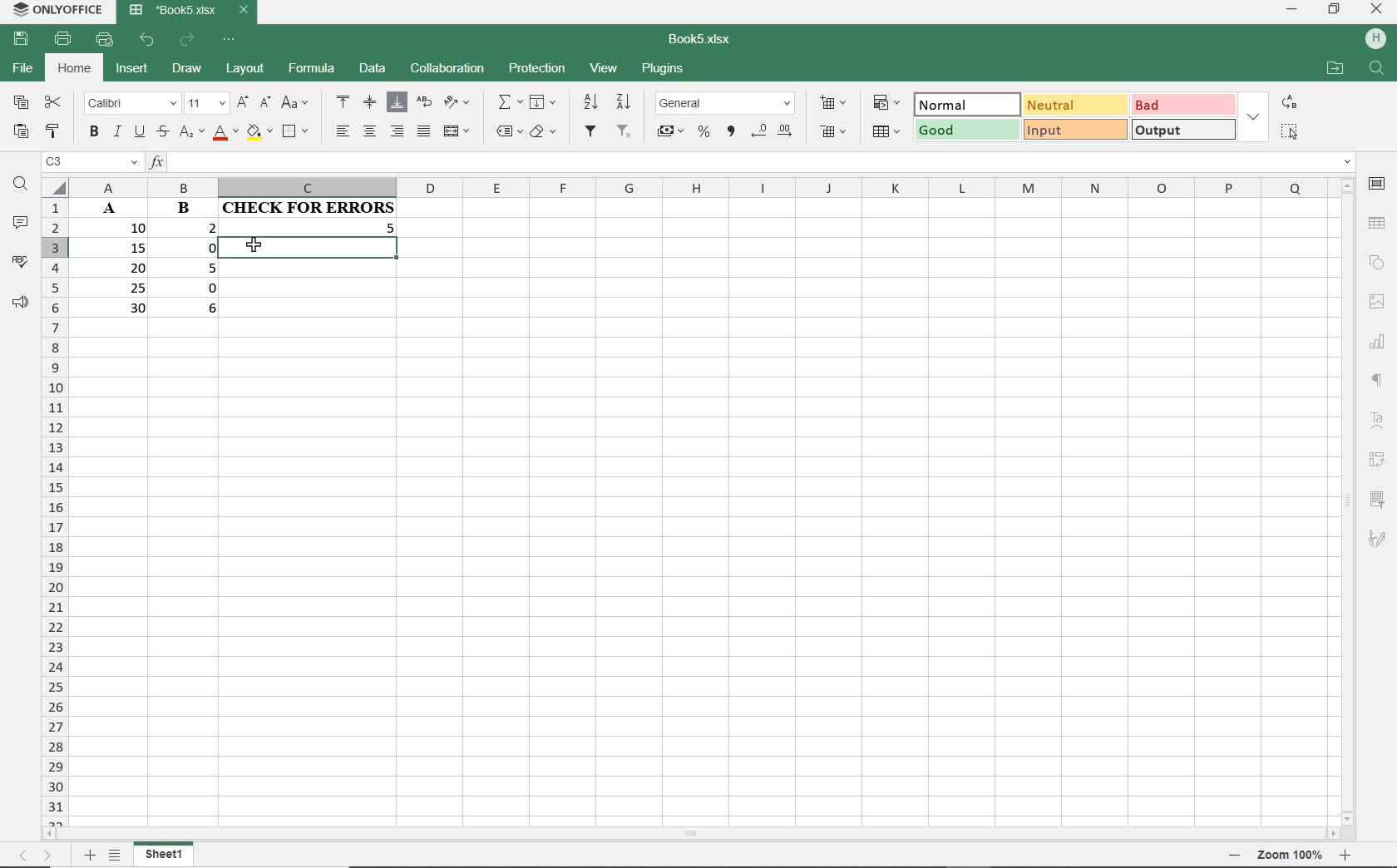 Image resolution: width=1397 pixels, height=868 pixels. Describe the element at coordinates (118, 856) in the screenshot. I see `` at that location.